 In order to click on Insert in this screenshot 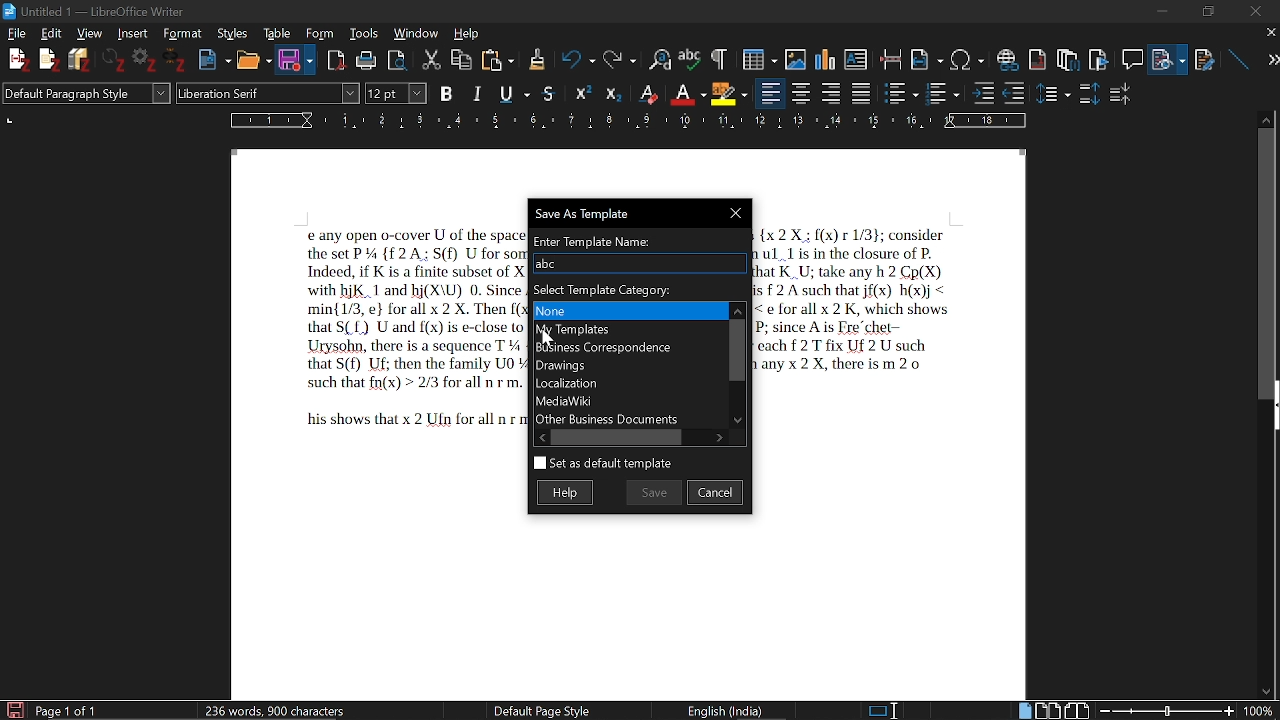, I will do `click(131, 34)`.